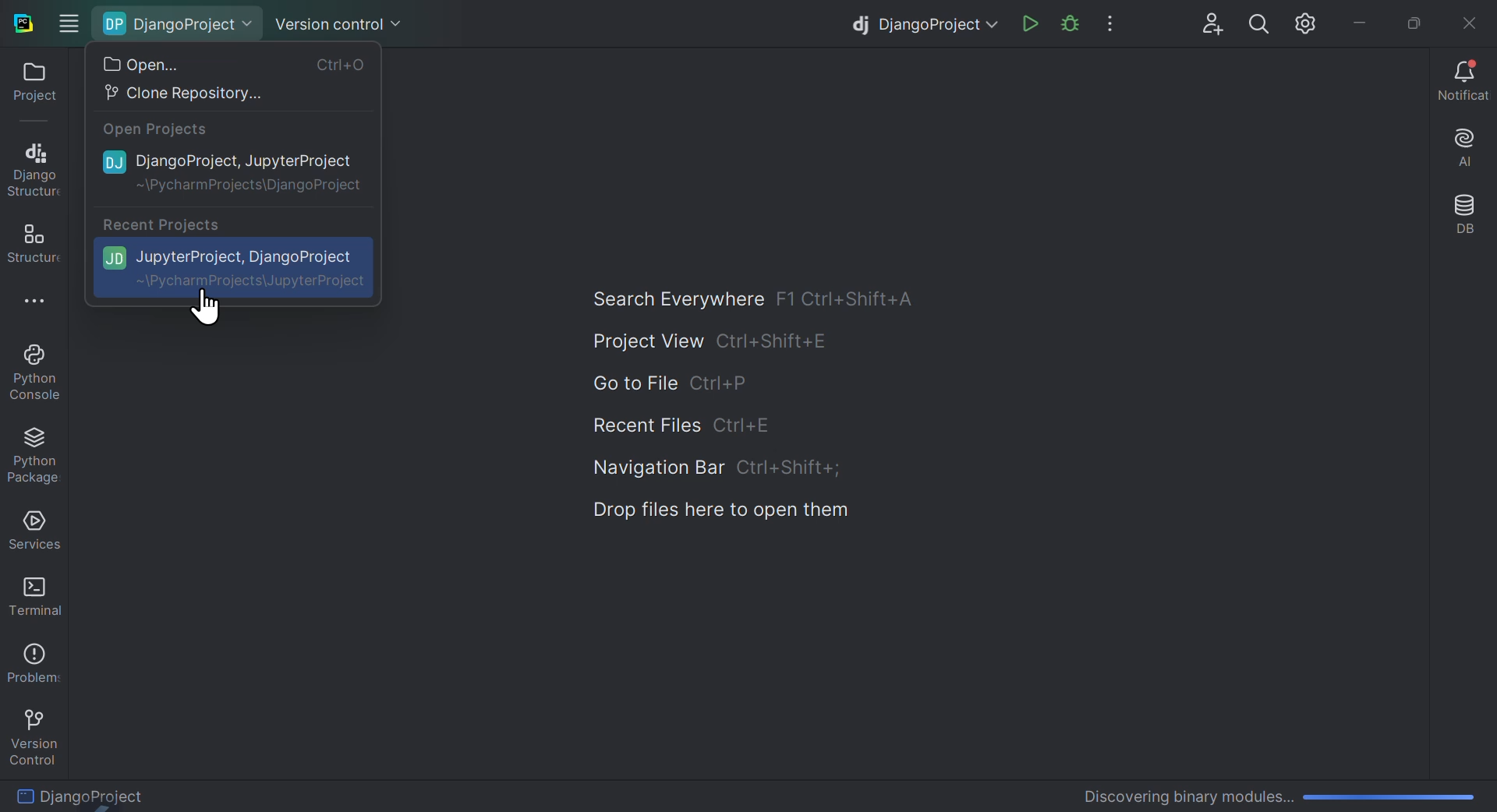  What do you see at coordinates (39, 457) in the screenshot?
I see `Python package` at bounding box center [39, 457].